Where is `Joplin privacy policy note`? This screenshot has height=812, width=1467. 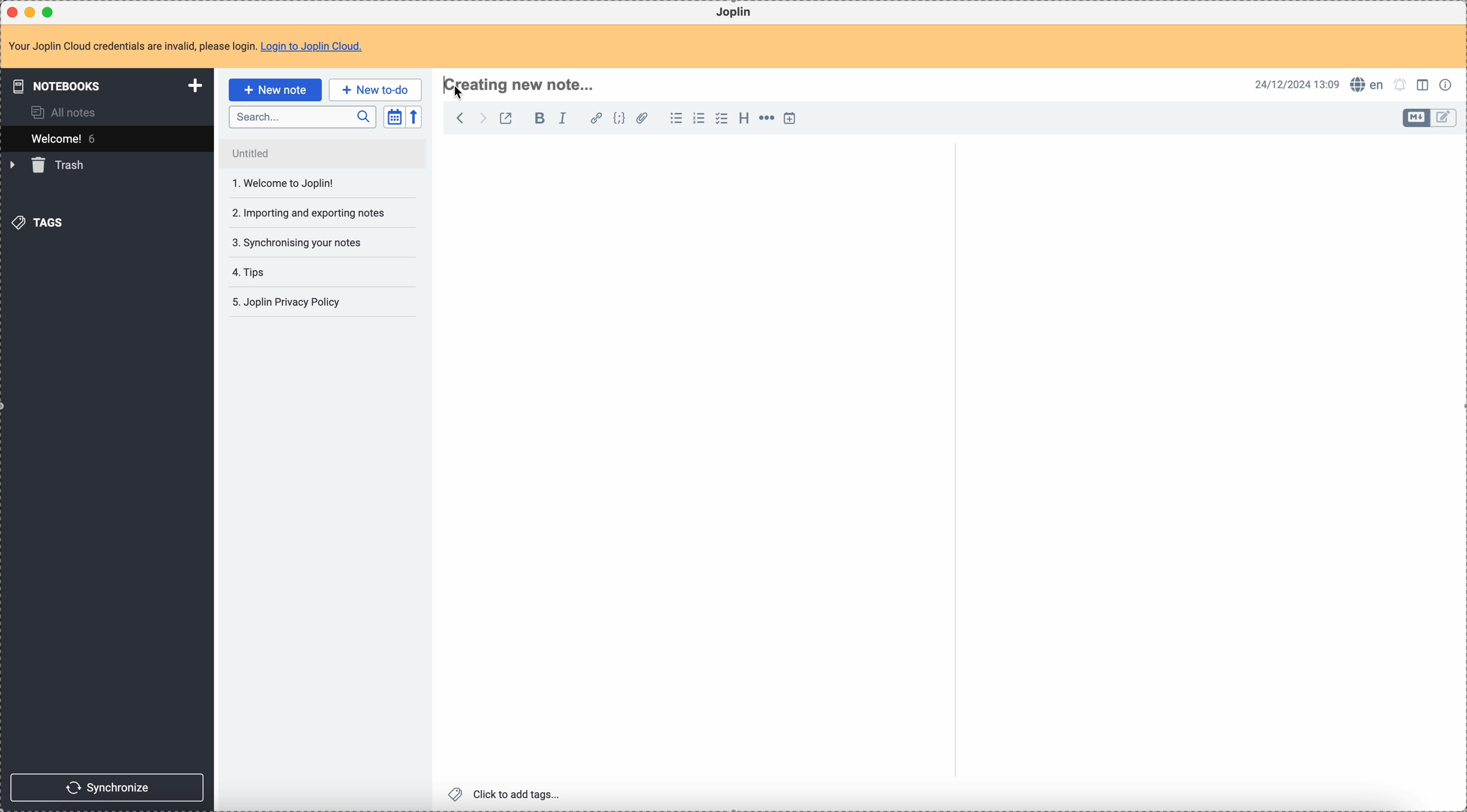
Joplin privacy policy note is located at coordinates (289, 302).